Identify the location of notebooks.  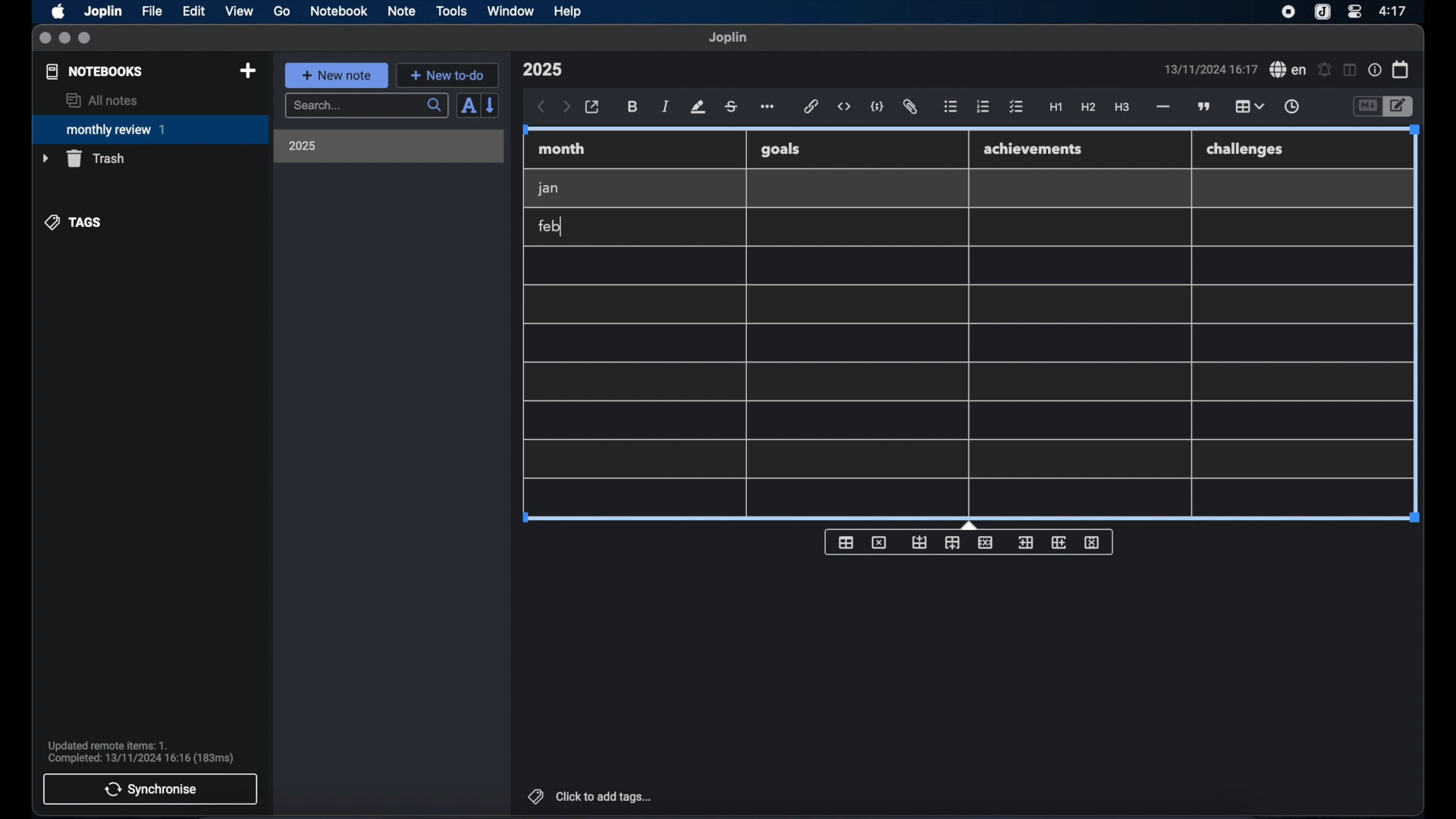
(95, 71).